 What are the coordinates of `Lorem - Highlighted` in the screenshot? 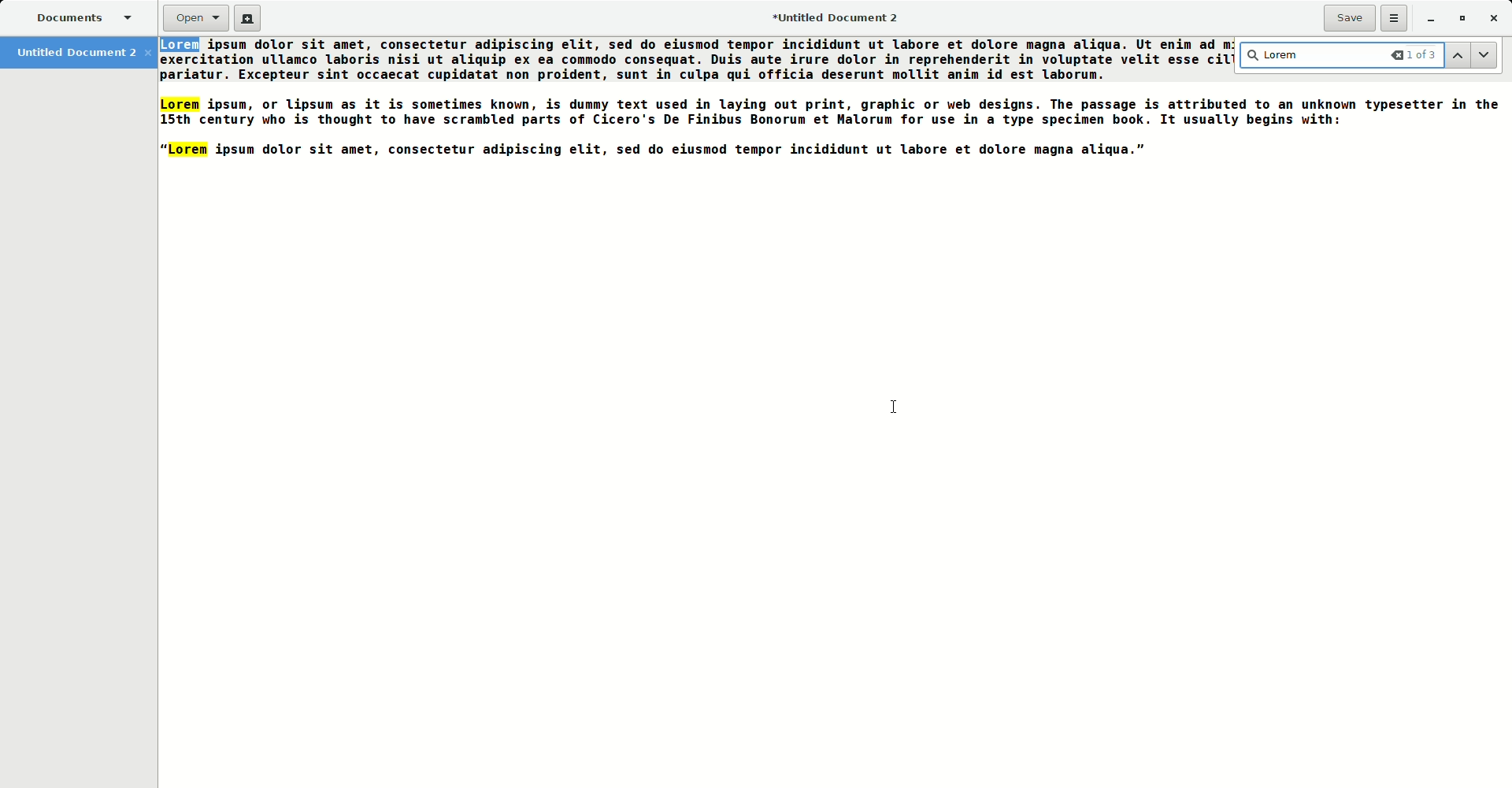 It's located at (183, 45).